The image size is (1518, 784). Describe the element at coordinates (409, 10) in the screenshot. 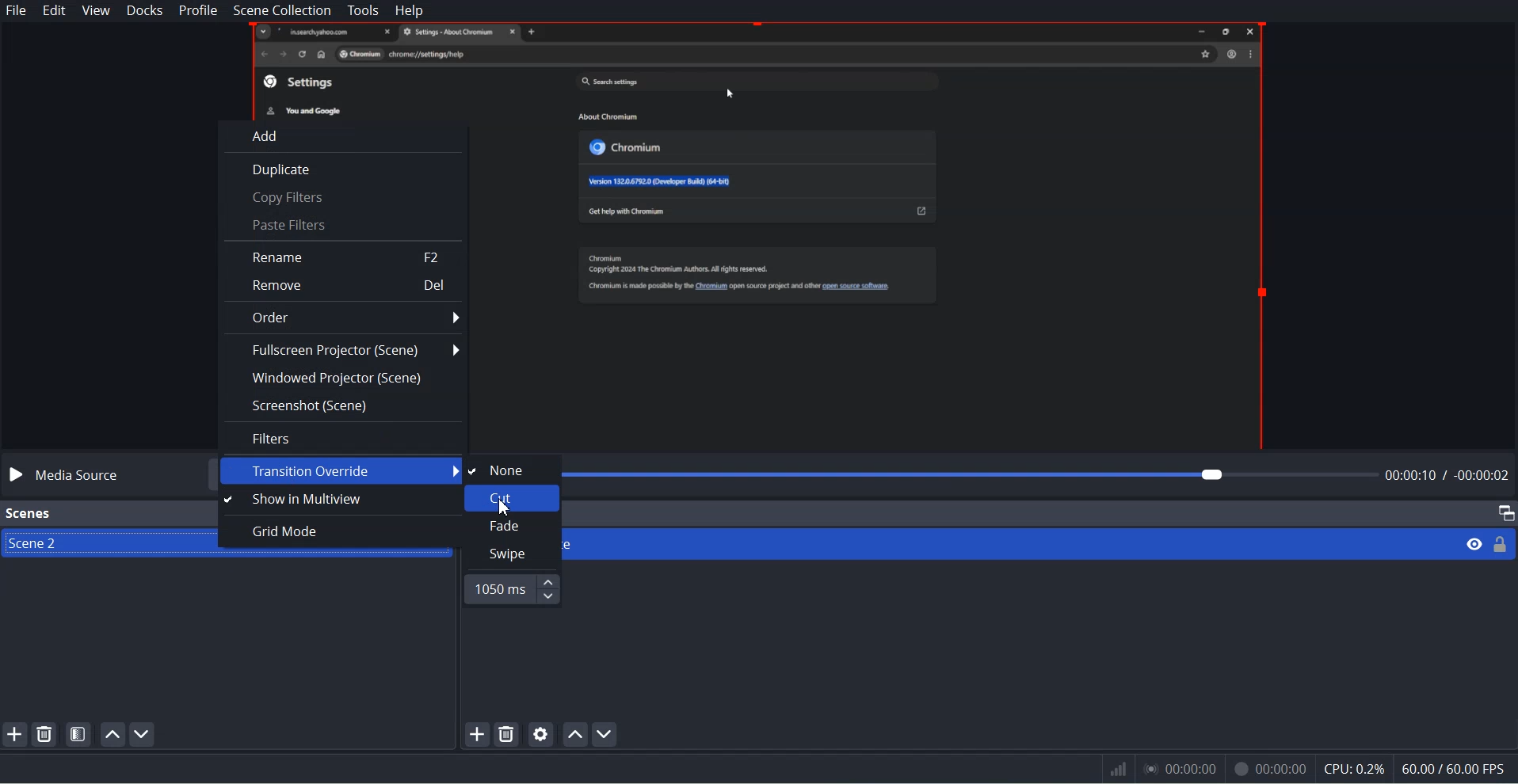

I see `Help` at that location.